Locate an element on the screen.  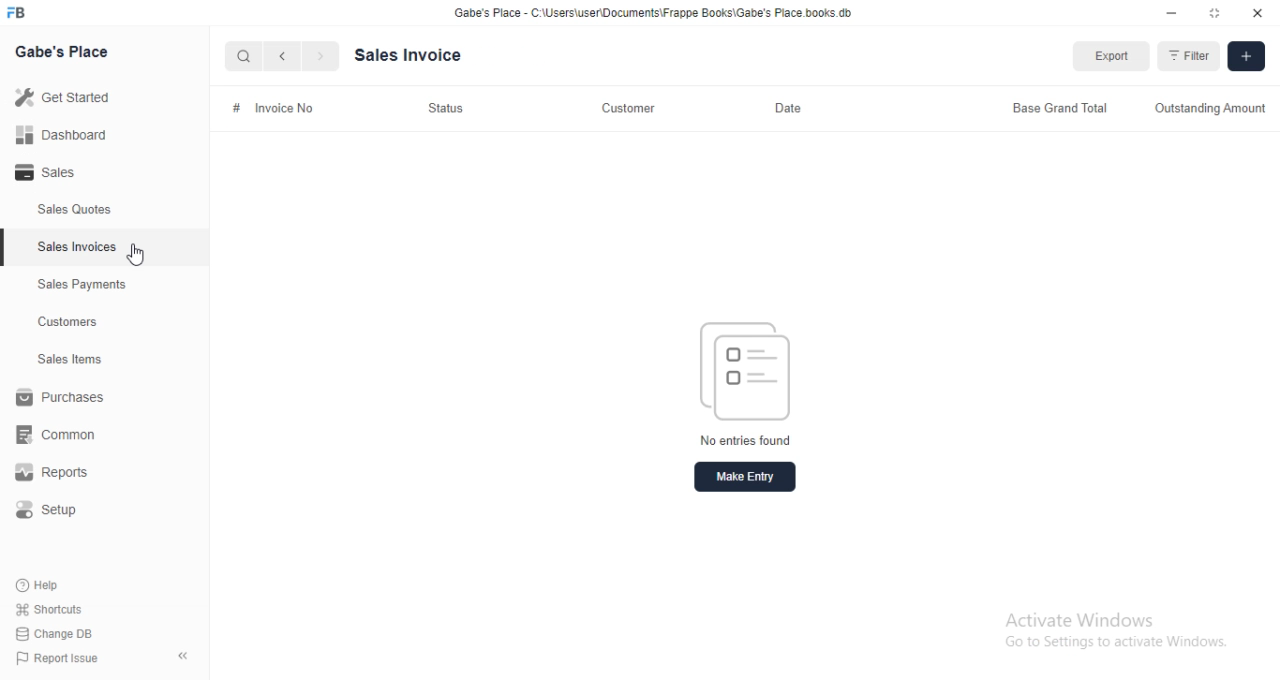
Logo is located at coordinates (24, 13).